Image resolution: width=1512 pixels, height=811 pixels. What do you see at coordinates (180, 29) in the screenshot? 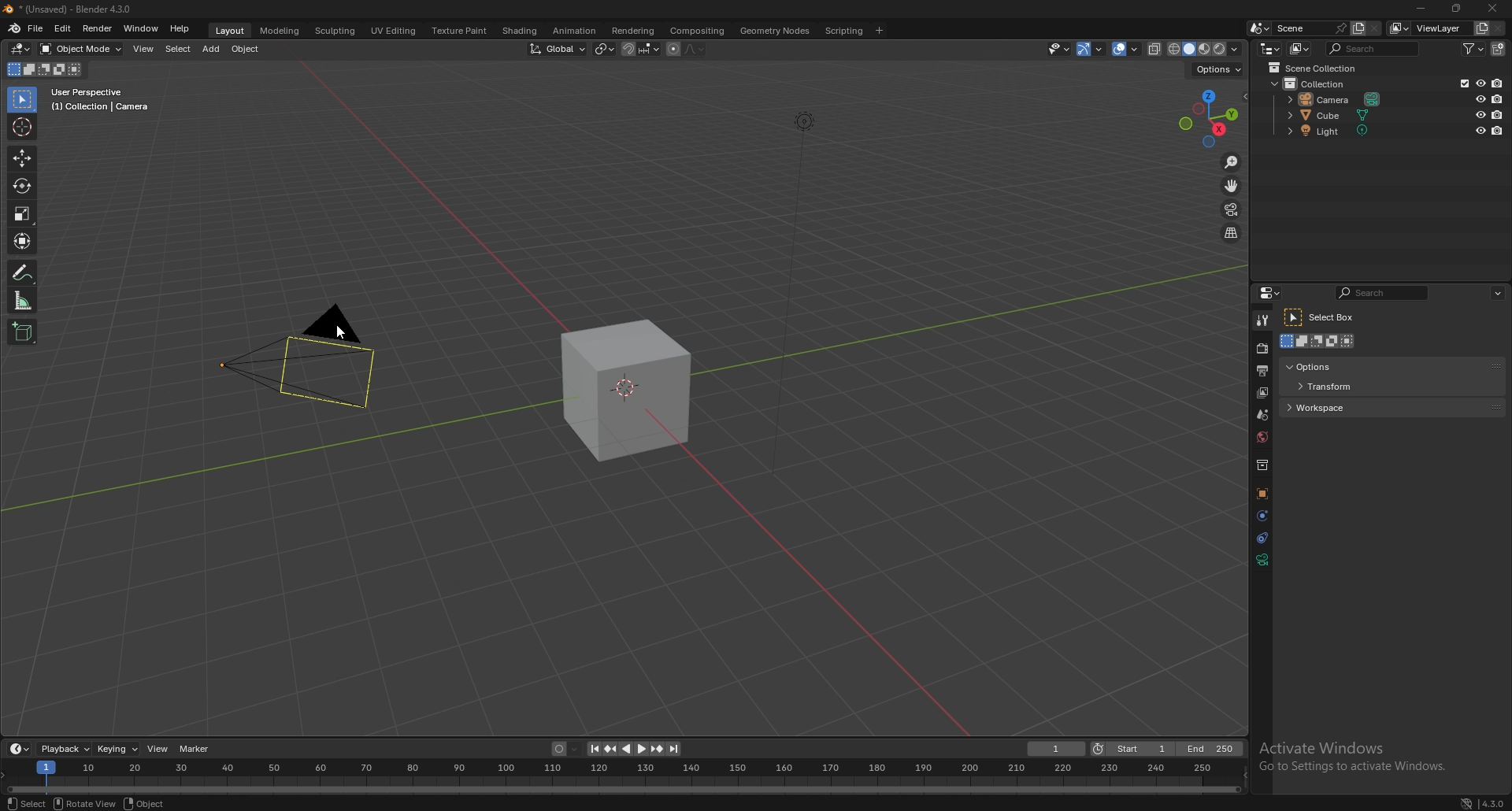
I see `help` at bounding box center [180, 29].